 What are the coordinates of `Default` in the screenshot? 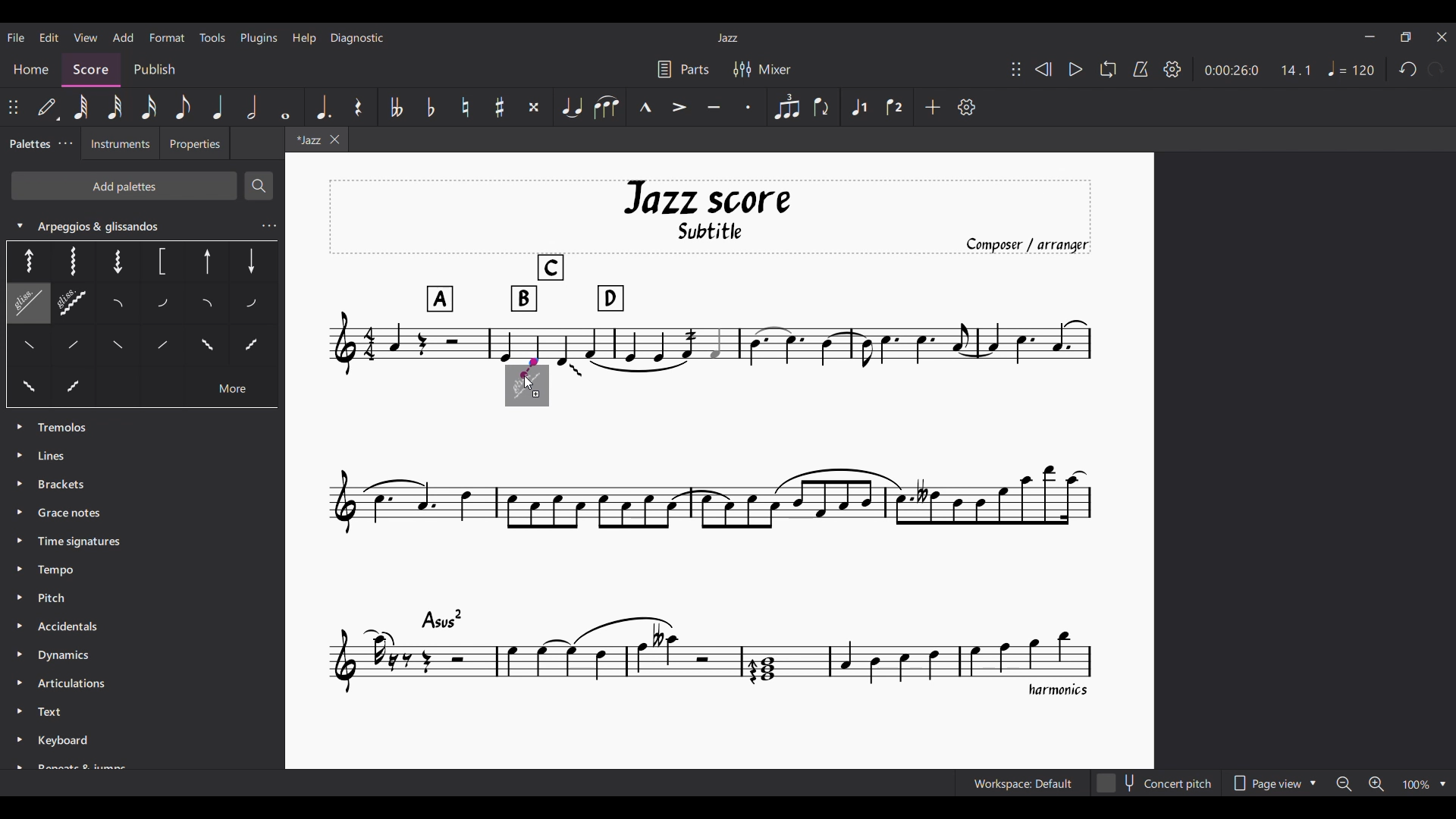 It's located at (49, 107).